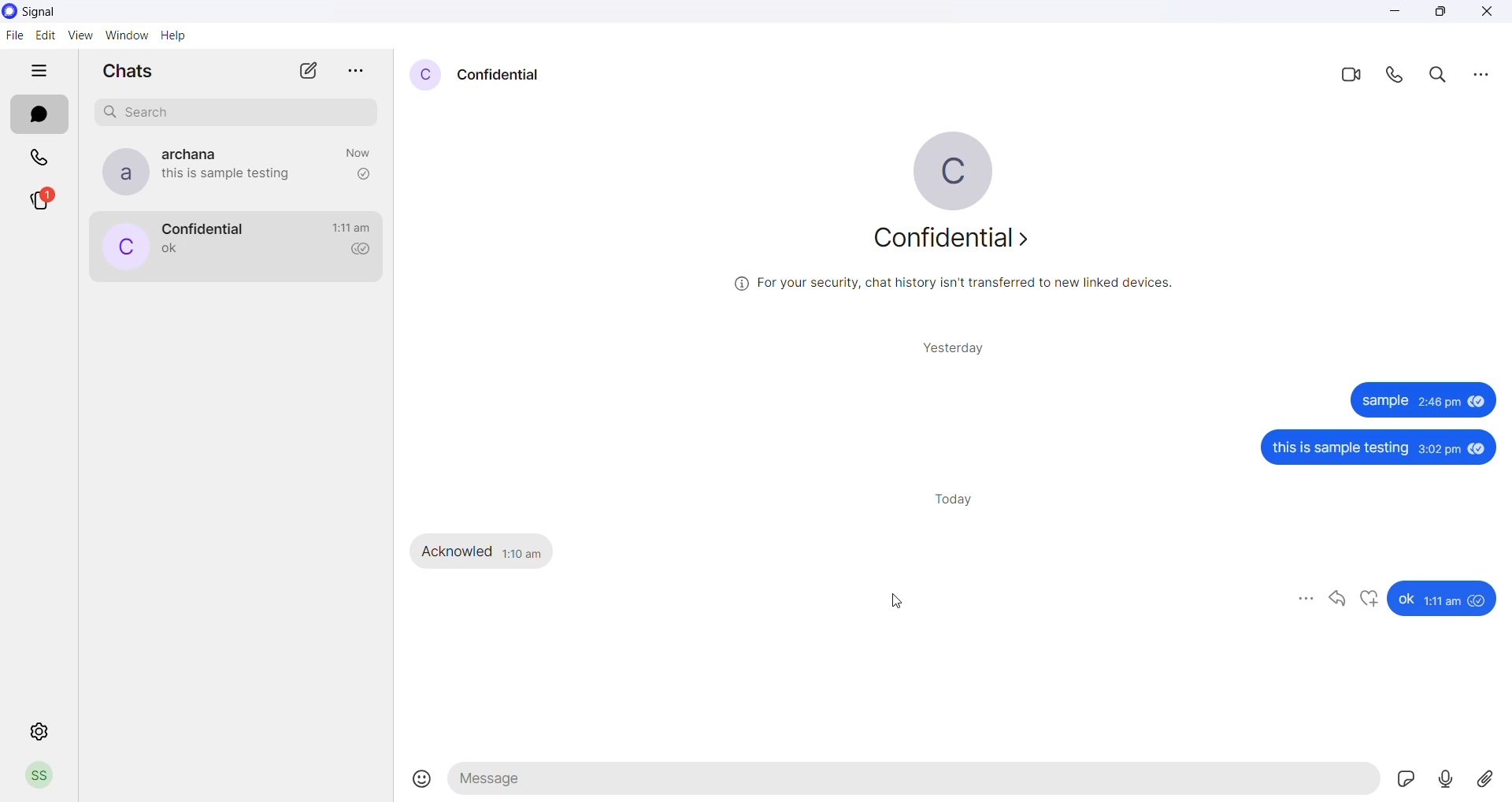 This screenshot has width=1512, height=802. I want to click on minimize, so click(1397, 16).